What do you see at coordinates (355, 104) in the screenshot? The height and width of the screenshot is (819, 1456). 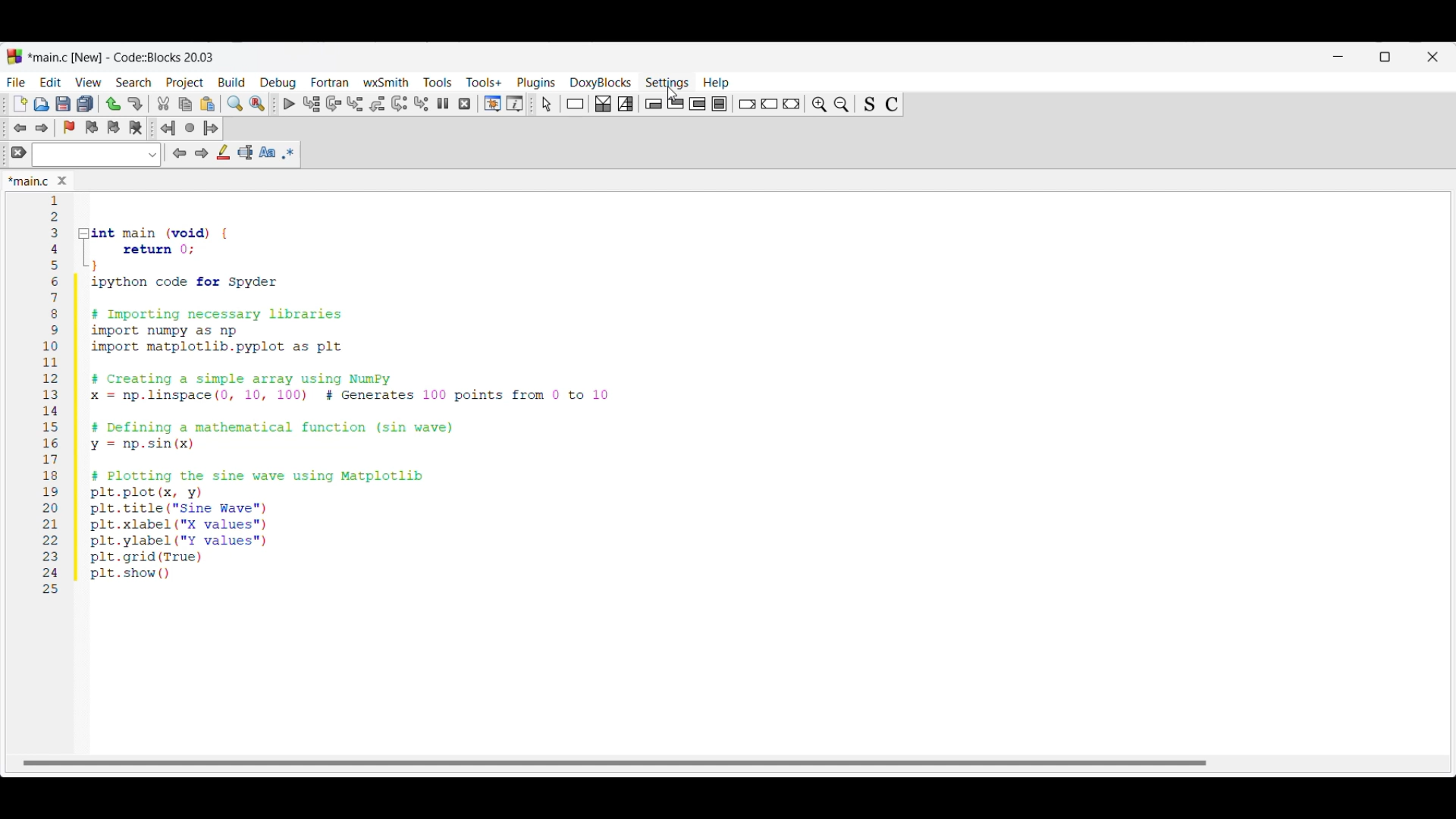 I see `Step into` at bounding box center [355, 104].